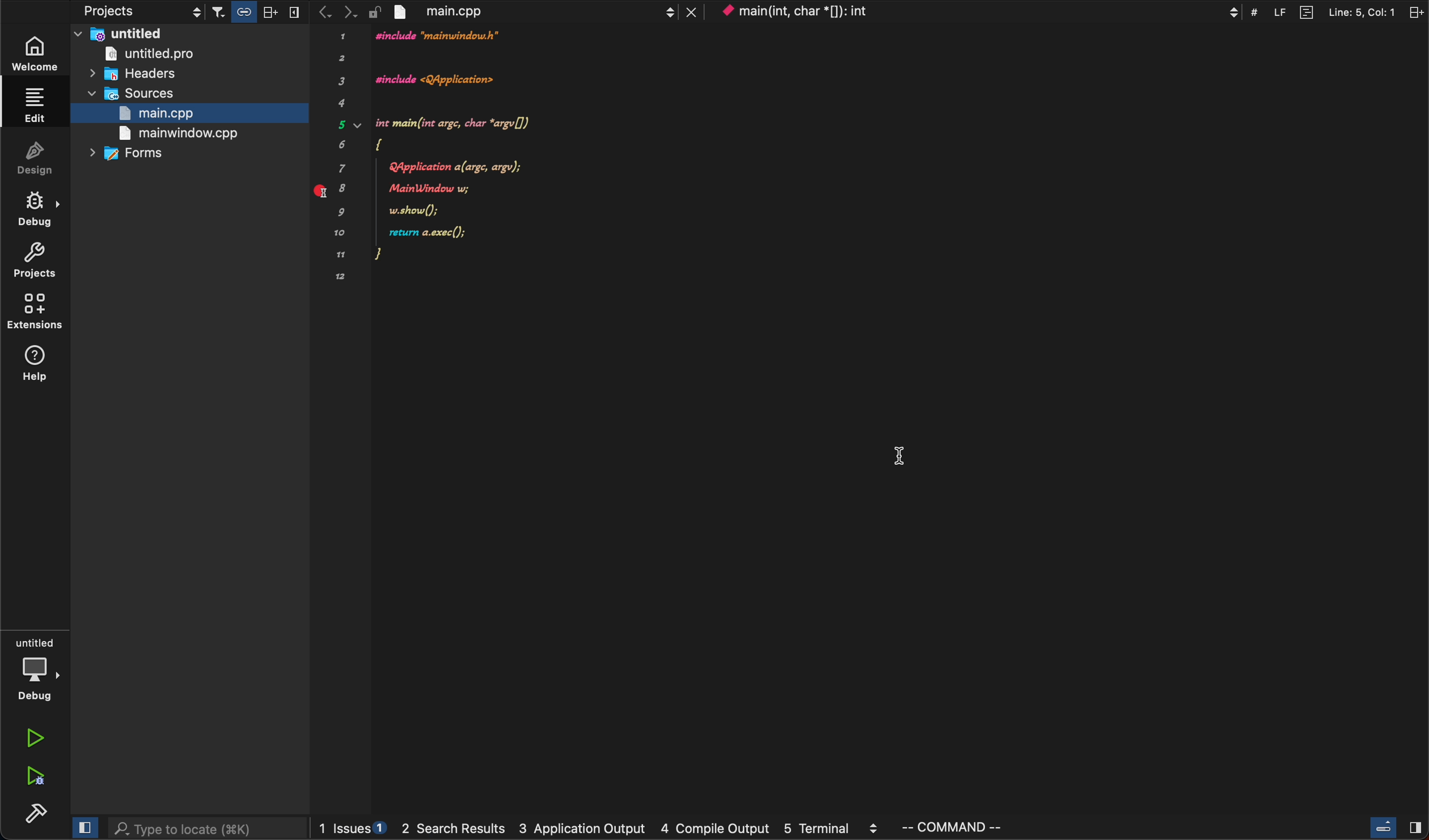  What do you see at coordinates (34, 668) in the screenshot?
I see `debug` at bounding box center [34, 668].